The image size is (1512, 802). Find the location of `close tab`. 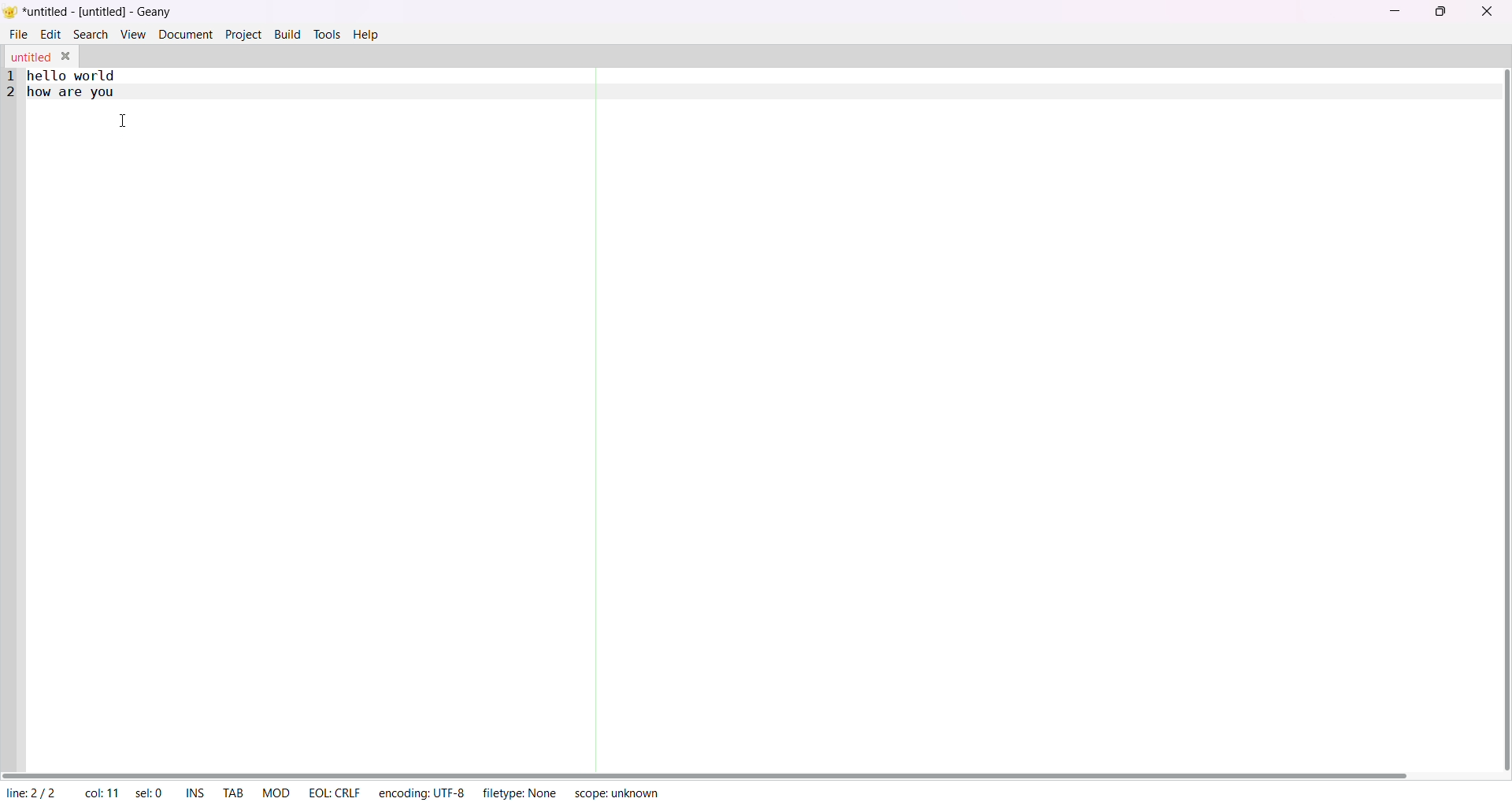

close tab is located at coordinates (67, 56).